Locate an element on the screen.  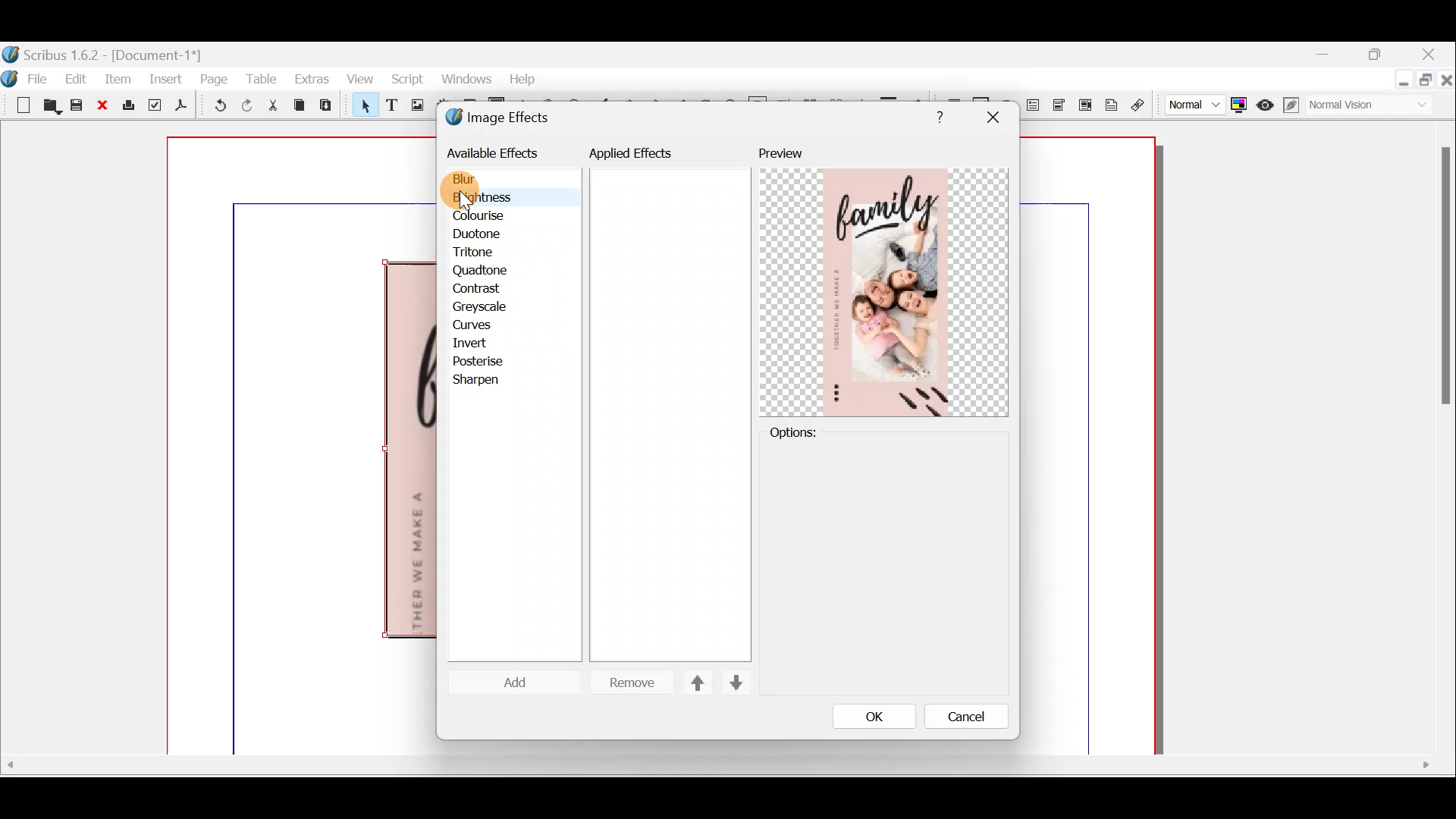
Remove is located at coordinates (626, 683).